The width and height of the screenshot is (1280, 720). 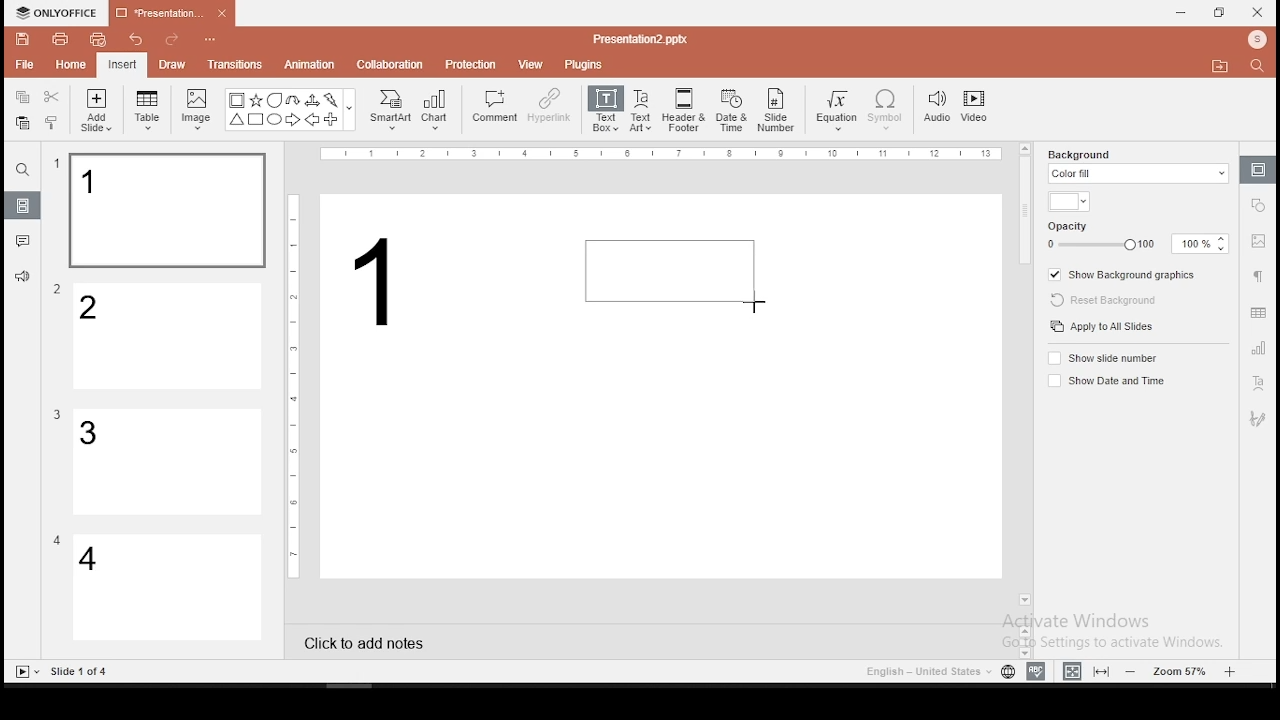 What do you see at coordinates (1253, 418) in the screenshot?
I see `` at bounding box center [1253, 418].